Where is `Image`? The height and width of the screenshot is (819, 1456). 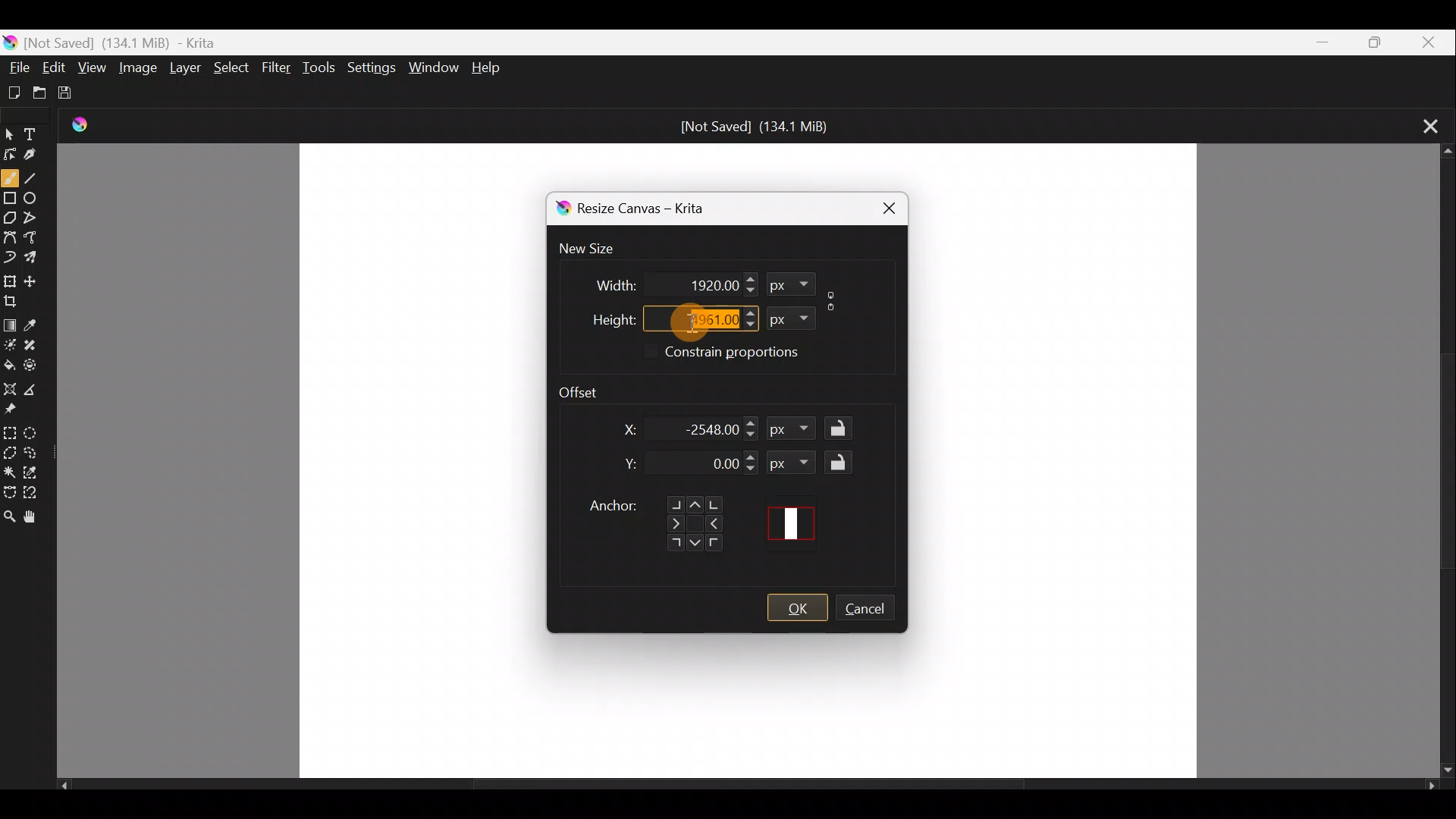 Image is located at coordinates (136, 70).